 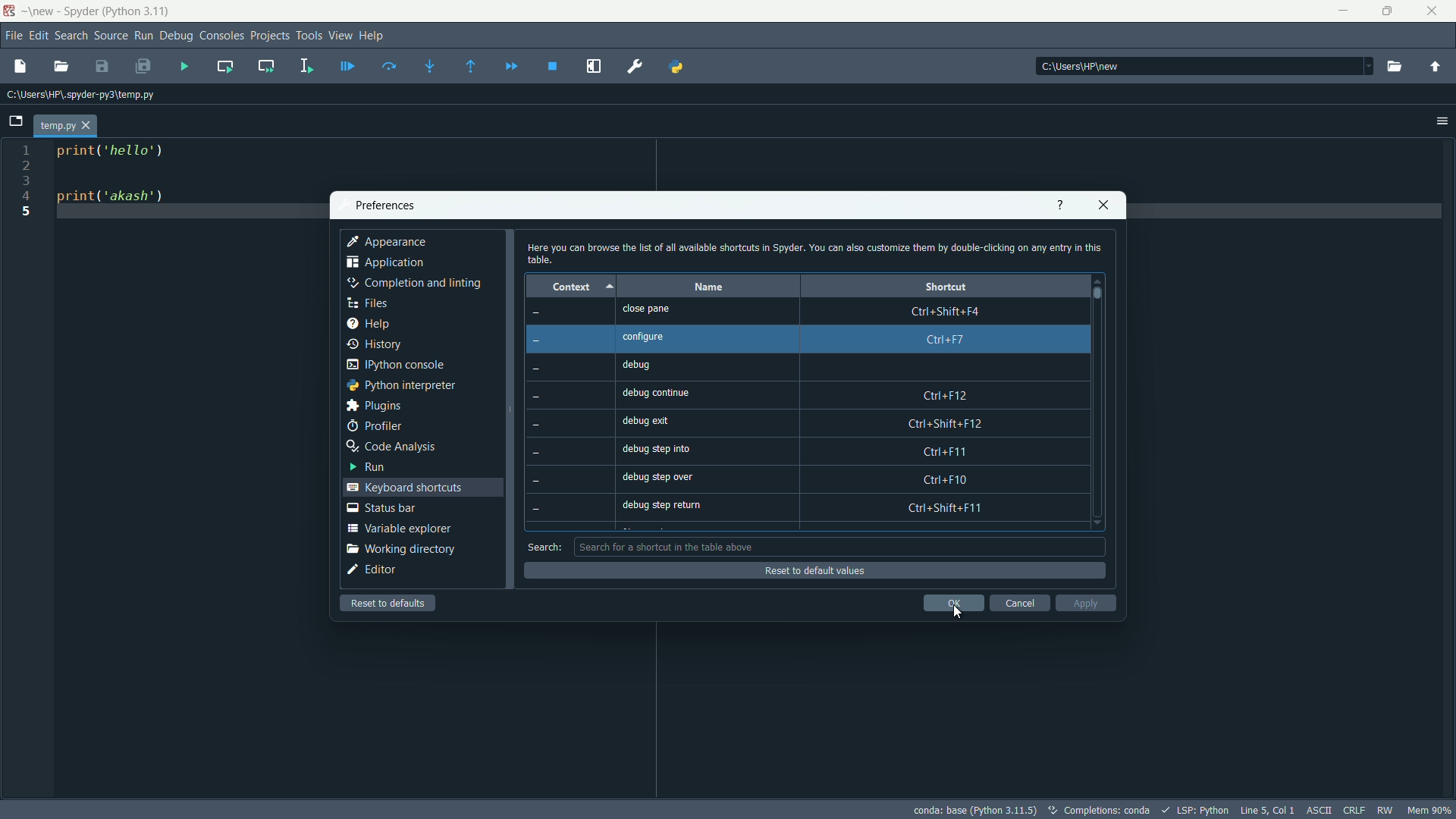 I want to click on rw, so click(x=1385, y=811).